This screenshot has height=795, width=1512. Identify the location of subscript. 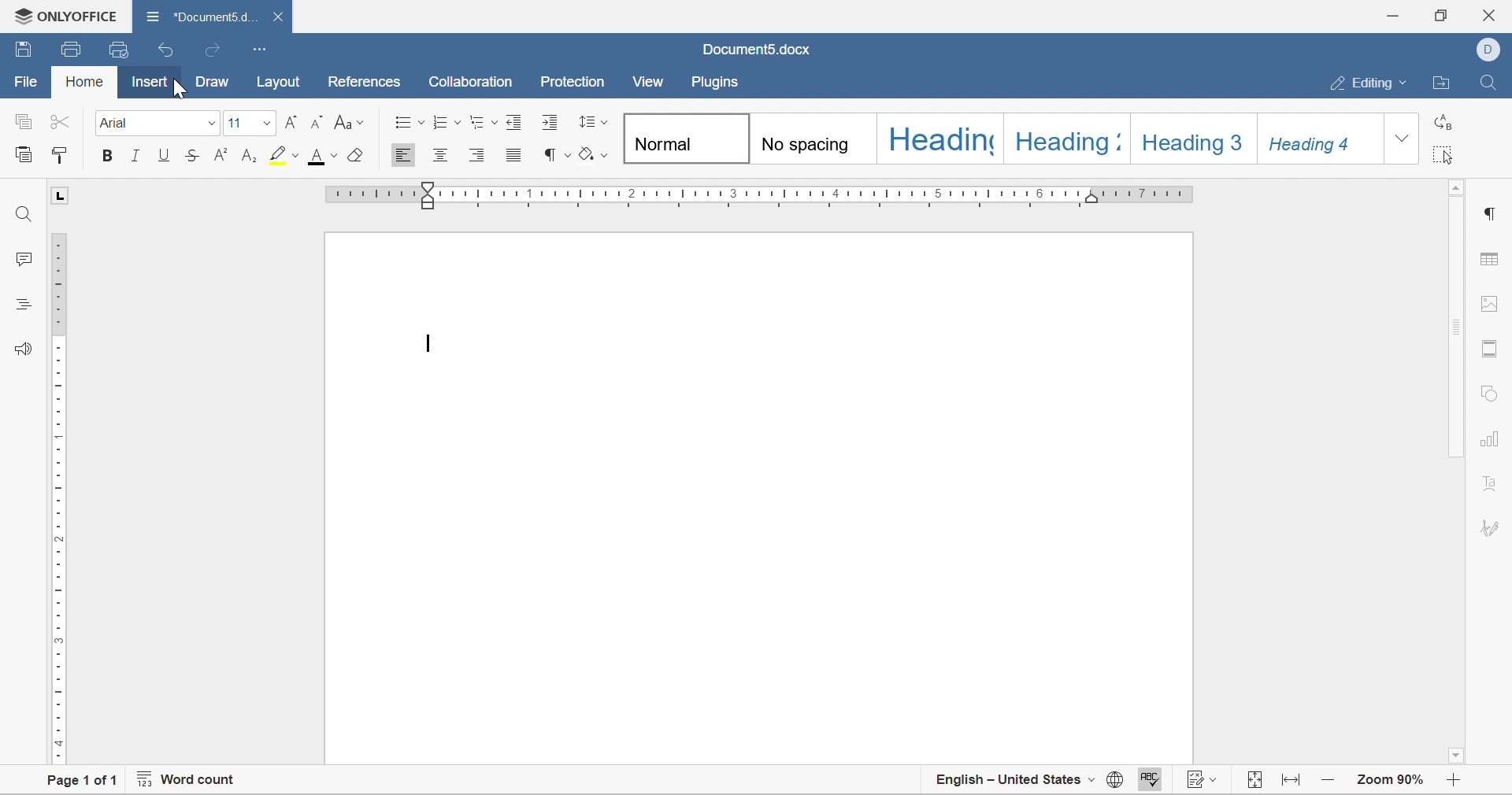
(252, 156).